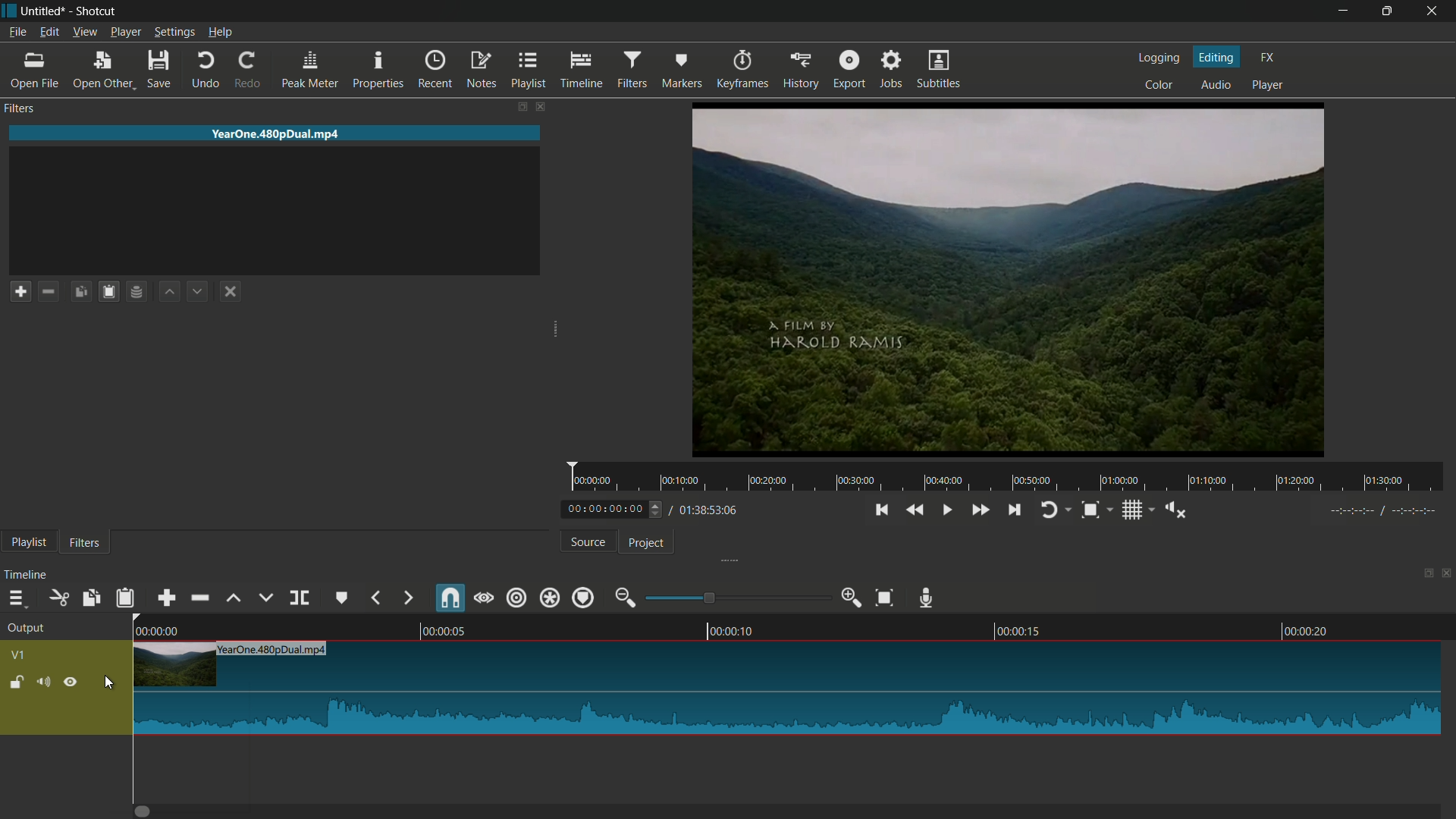 The height and width of the screenshot is (819, 1456). I want to click on ripple markers, so click(582, 598).